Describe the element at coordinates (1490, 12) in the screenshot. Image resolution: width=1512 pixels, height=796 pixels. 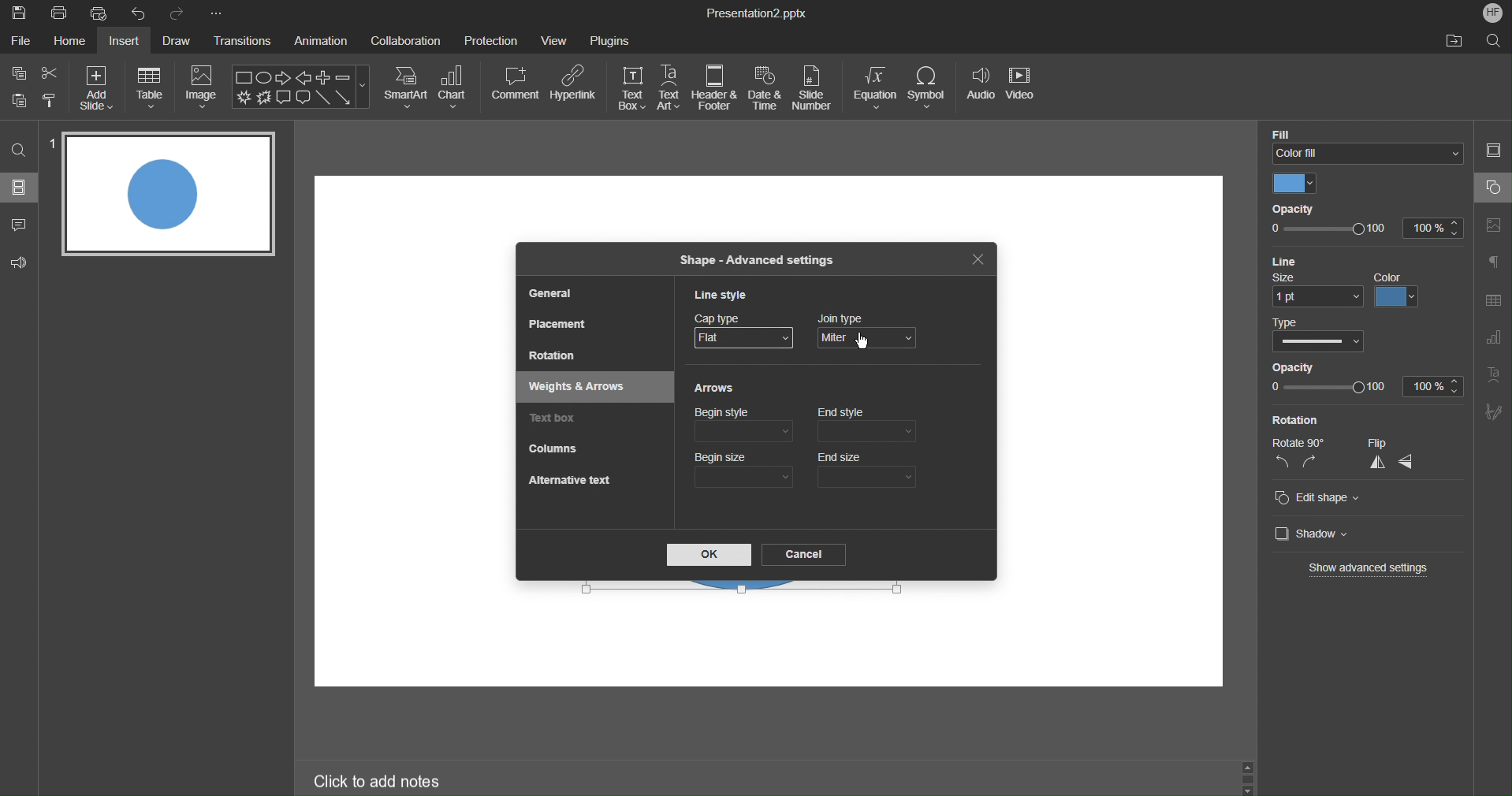
I see `Account` at that location.